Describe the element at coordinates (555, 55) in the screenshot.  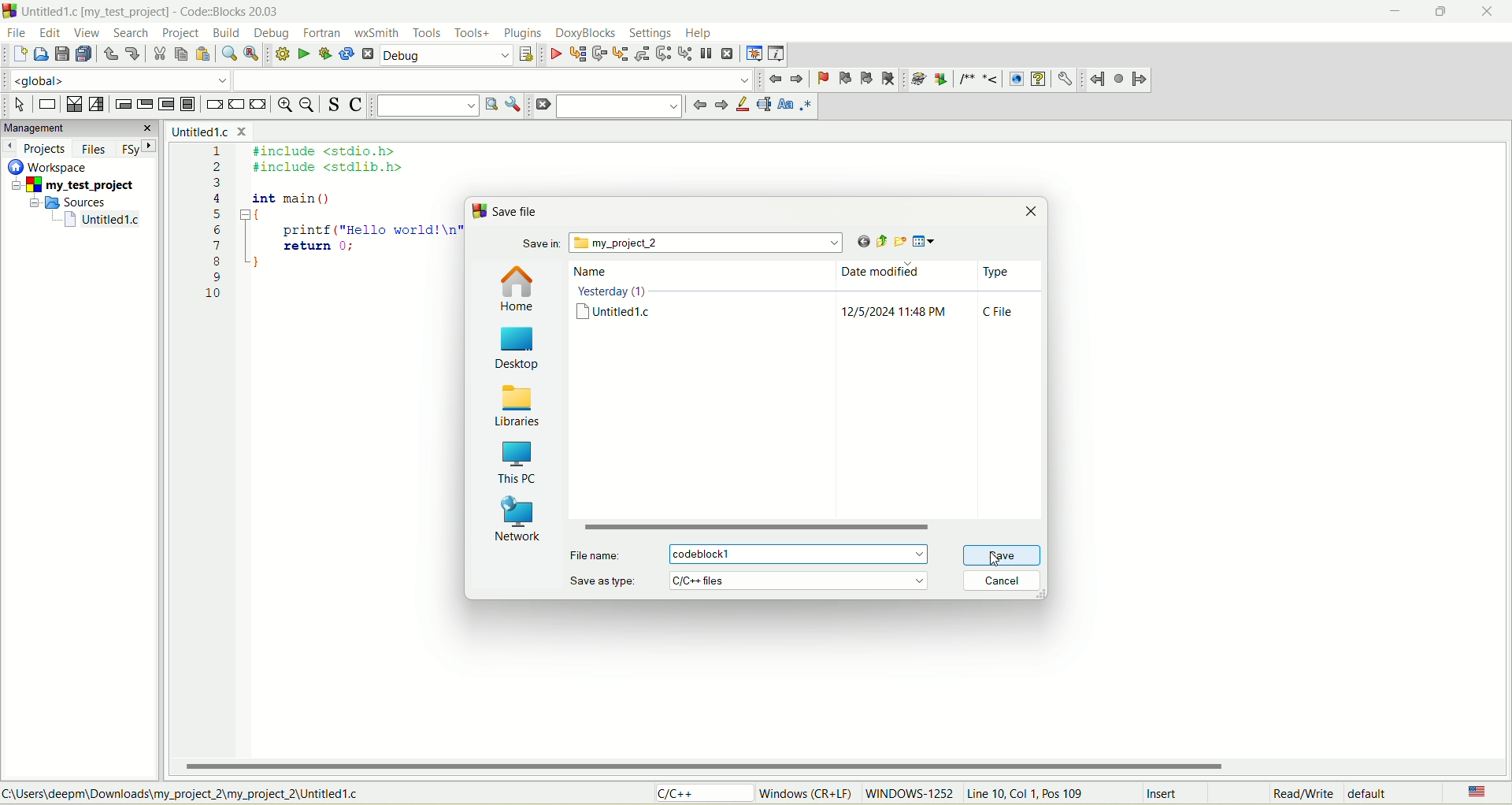
I see `debug` at that location.